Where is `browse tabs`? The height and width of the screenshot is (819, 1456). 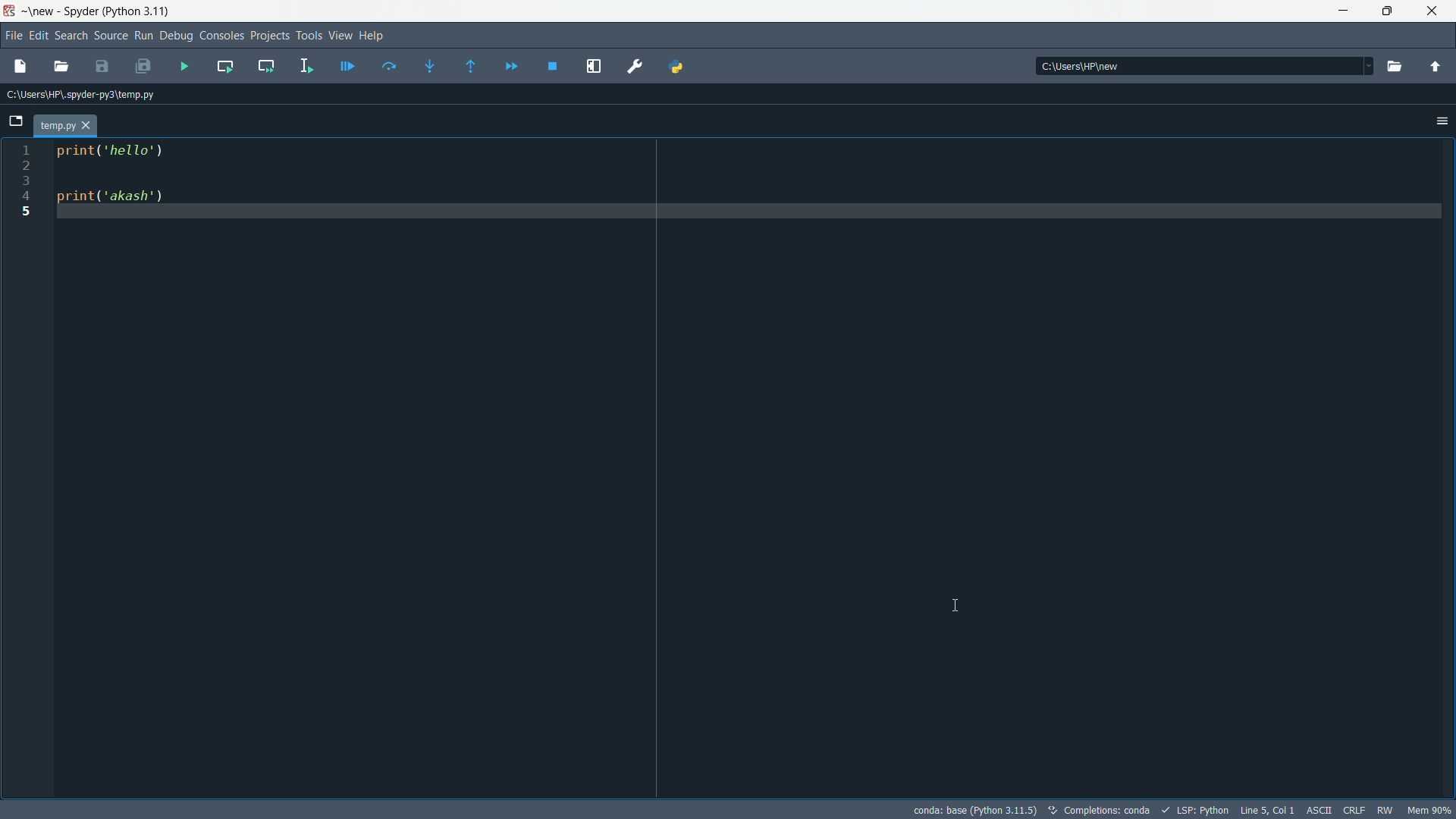
browse tabs is located at coordinates (16, 121).